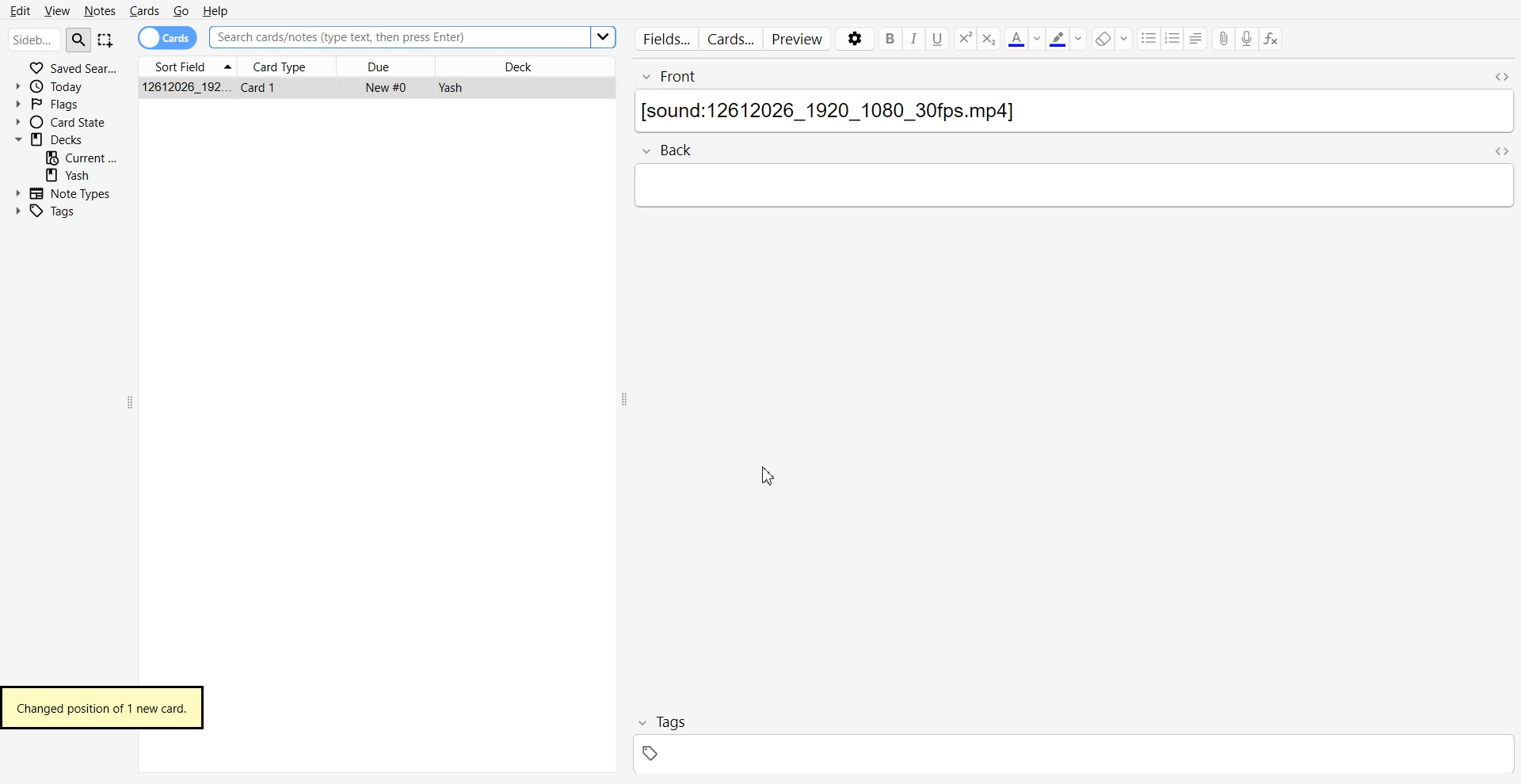 This screenshot has width=1521, height=784. I want to click on Settings, so click(853, 40).